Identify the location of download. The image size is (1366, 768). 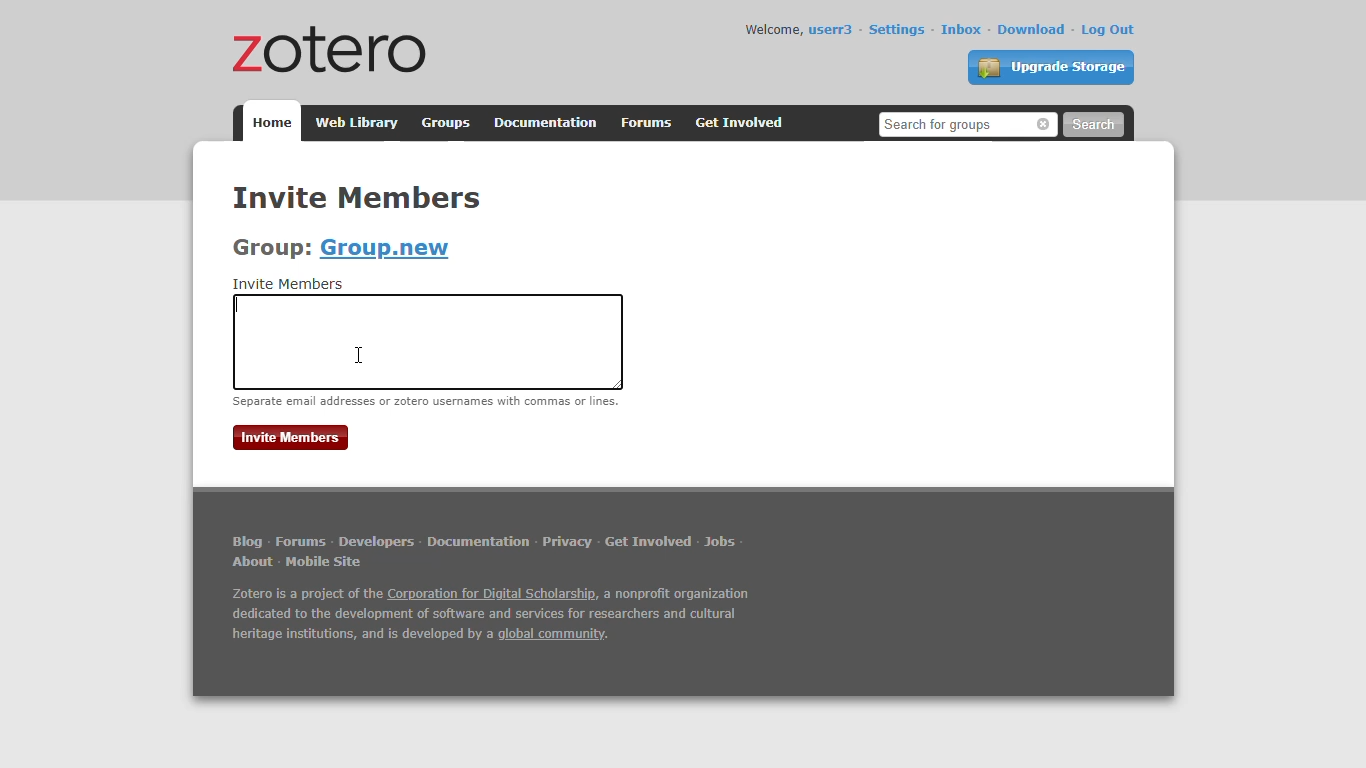
(1032, 29).